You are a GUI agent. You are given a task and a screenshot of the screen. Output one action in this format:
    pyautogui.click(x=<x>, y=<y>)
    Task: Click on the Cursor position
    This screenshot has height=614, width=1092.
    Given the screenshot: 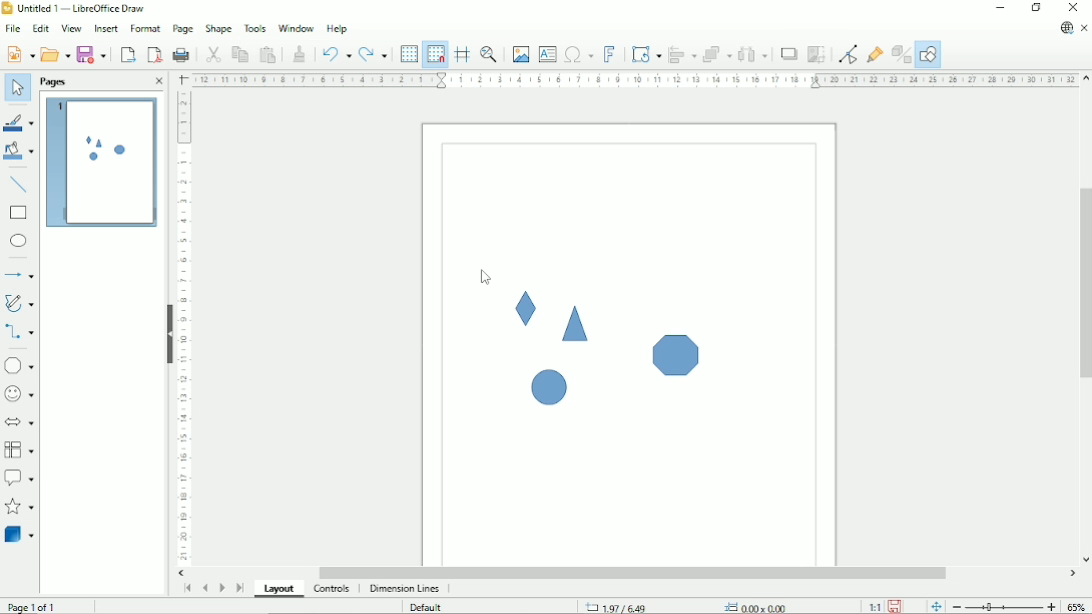 What is the action you would take?
    pyautogui.click(x=686, y=607)
    